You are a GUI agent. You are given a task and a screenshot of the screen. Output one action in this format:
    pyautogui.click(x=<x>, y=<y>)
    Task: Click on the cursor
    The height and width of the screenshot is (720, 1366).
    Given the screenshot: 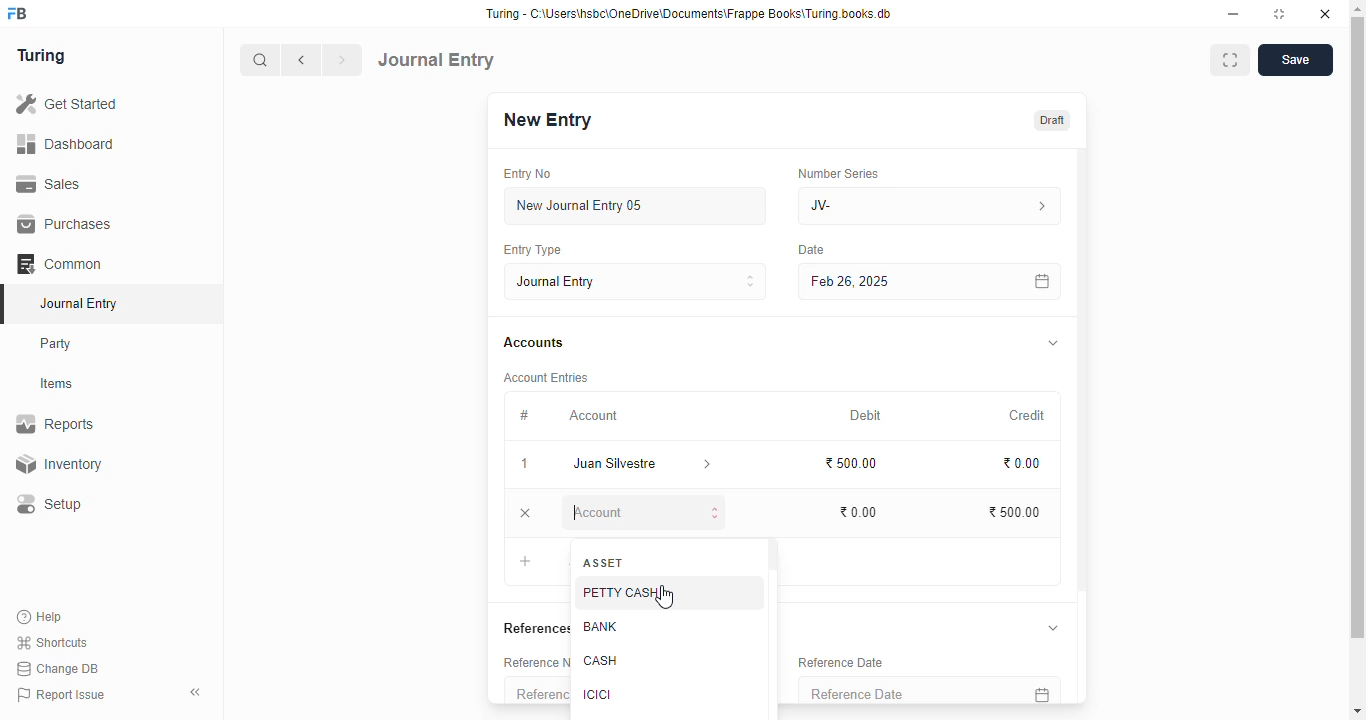 What is the action you would take?
    pyautogui.click(x=665, y=598)
    